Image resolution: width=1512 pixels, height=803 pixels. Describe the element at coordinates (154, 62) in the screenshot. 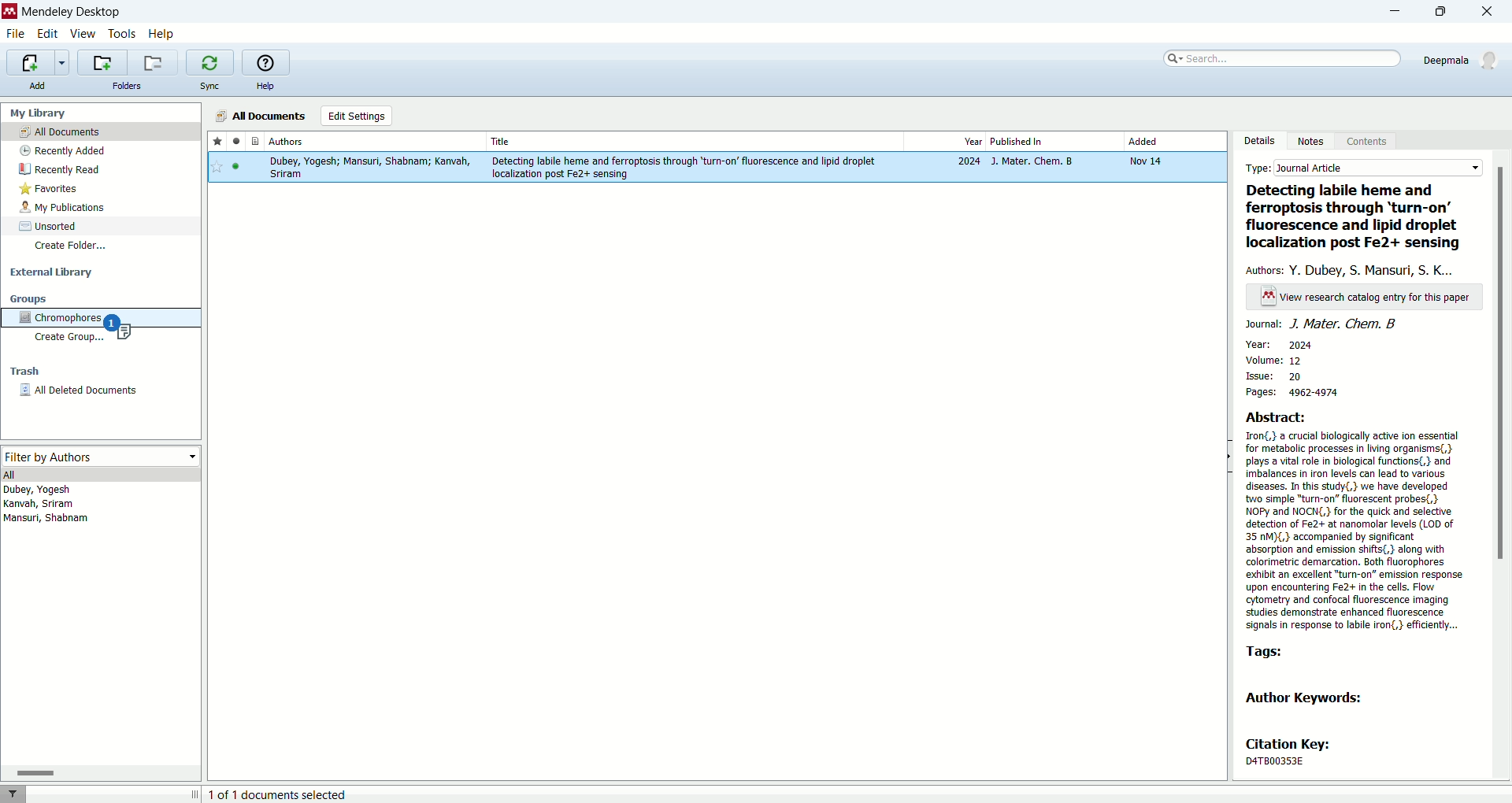

I see `remove current library` at that location.